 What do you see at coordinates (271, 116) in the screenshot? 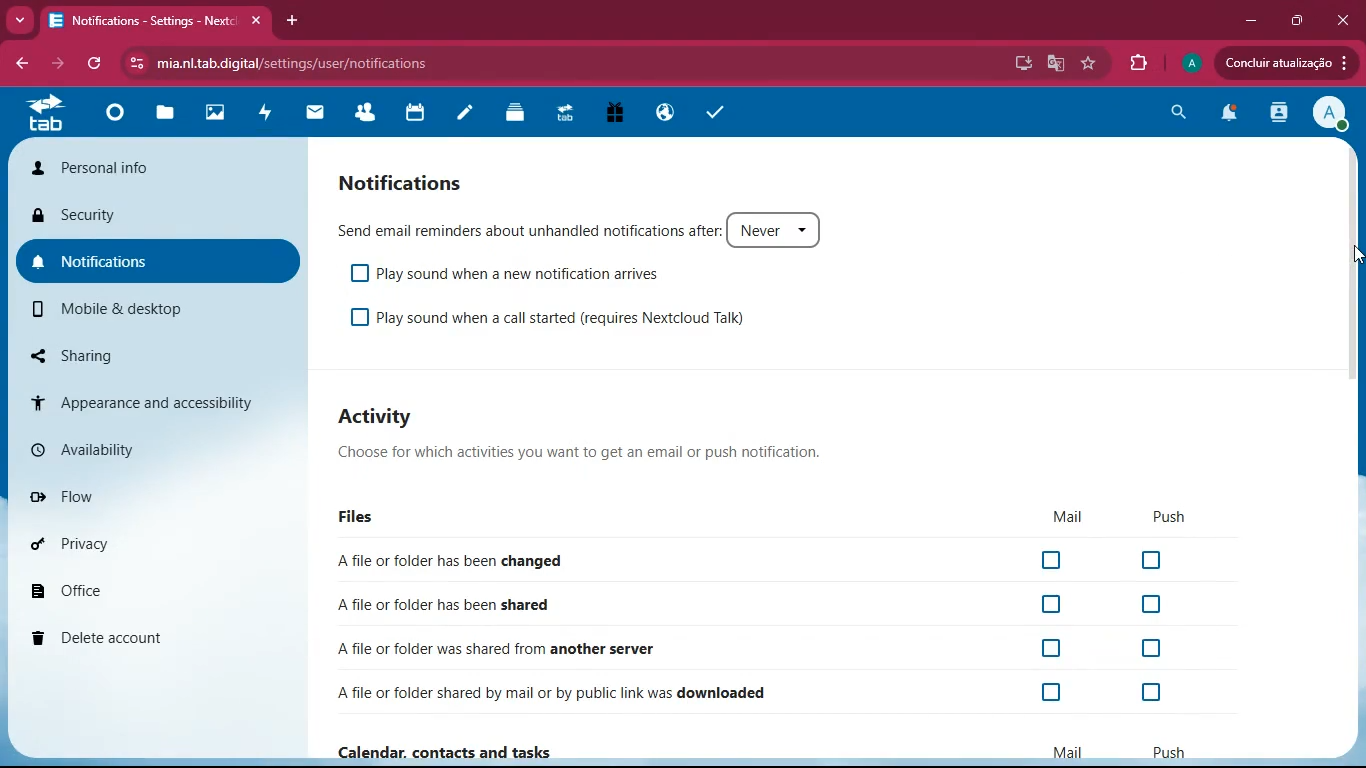
I see `activity` at bounding box center [271, 116].